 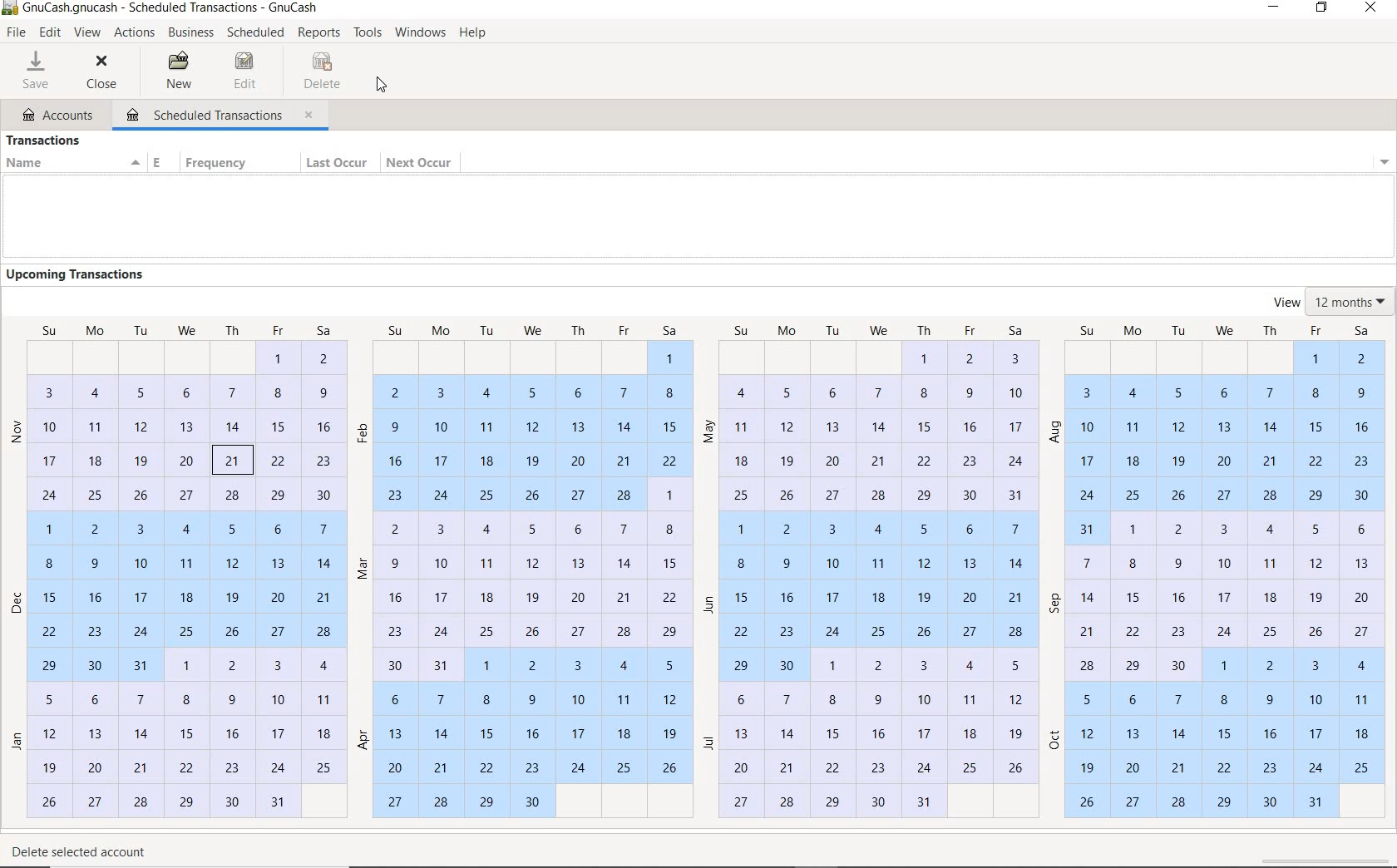 I want to click on months, so click(x=1054, y=584).